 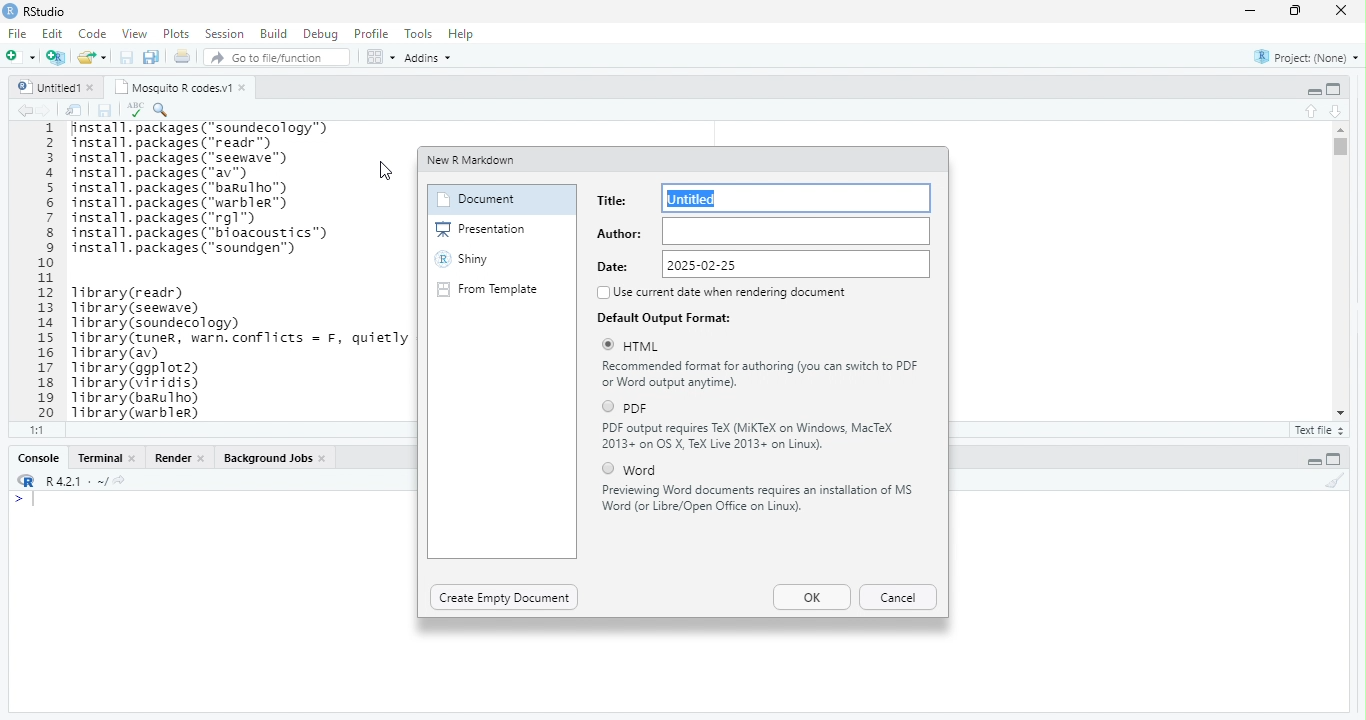 I want to click on 1 2 3 4 5 6 7 8 9 10 11 12 13 14 15 16 17 18 19 20, so click(x=49, y=271).